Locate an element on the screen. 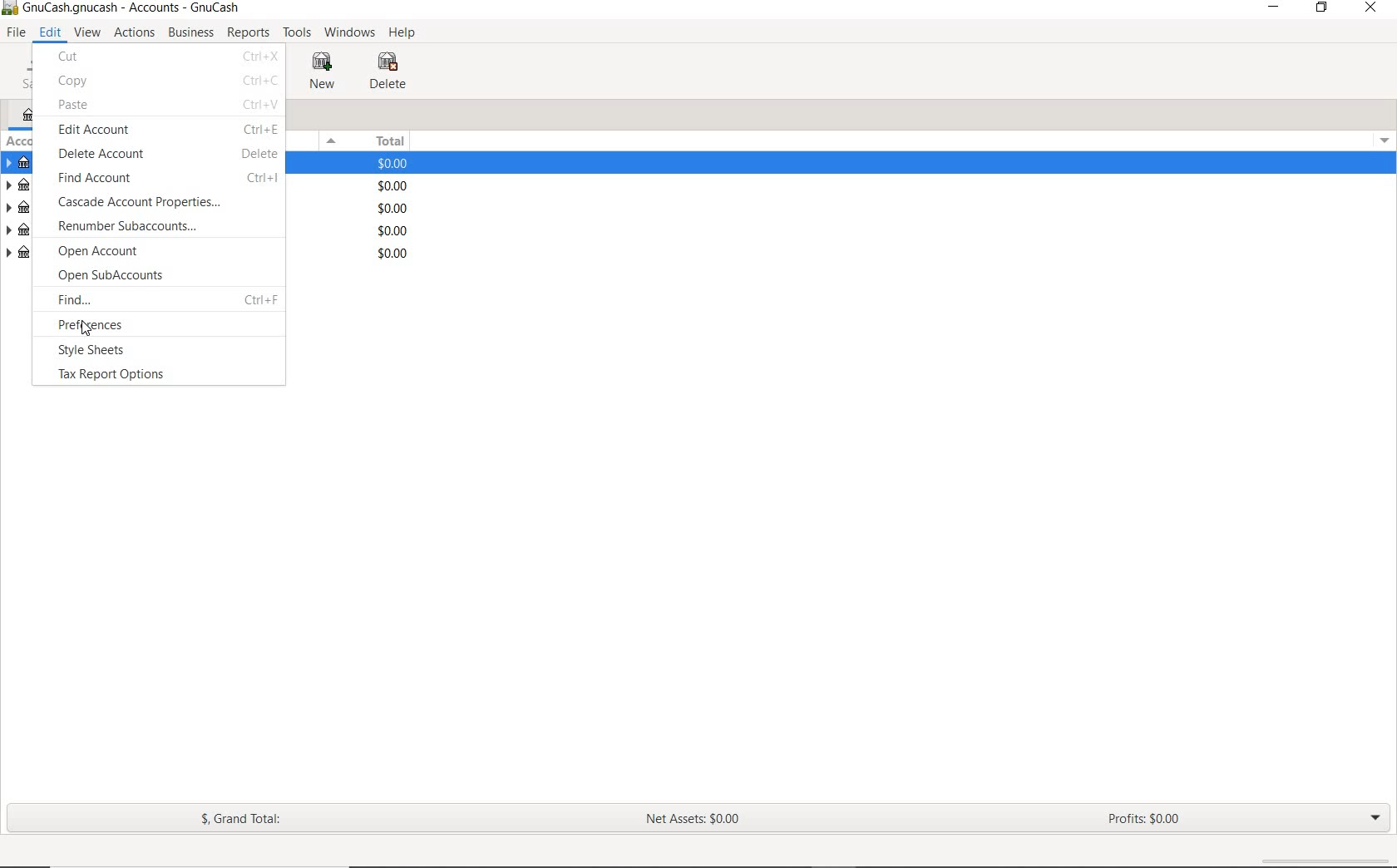 The image size is (1397, 868). EQUITY is located at coordinates (19, 254).